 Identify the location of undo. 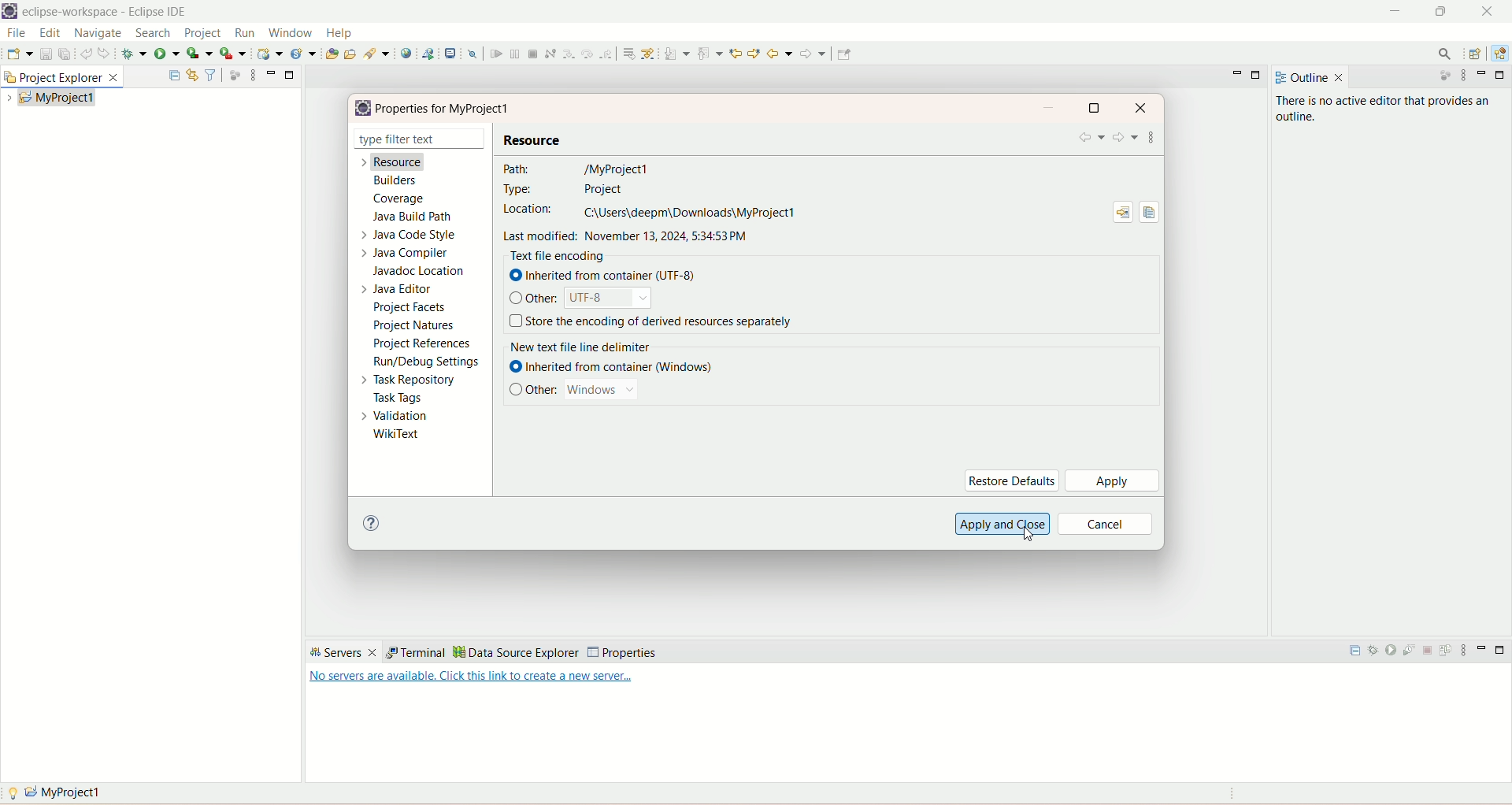
(86, 52).